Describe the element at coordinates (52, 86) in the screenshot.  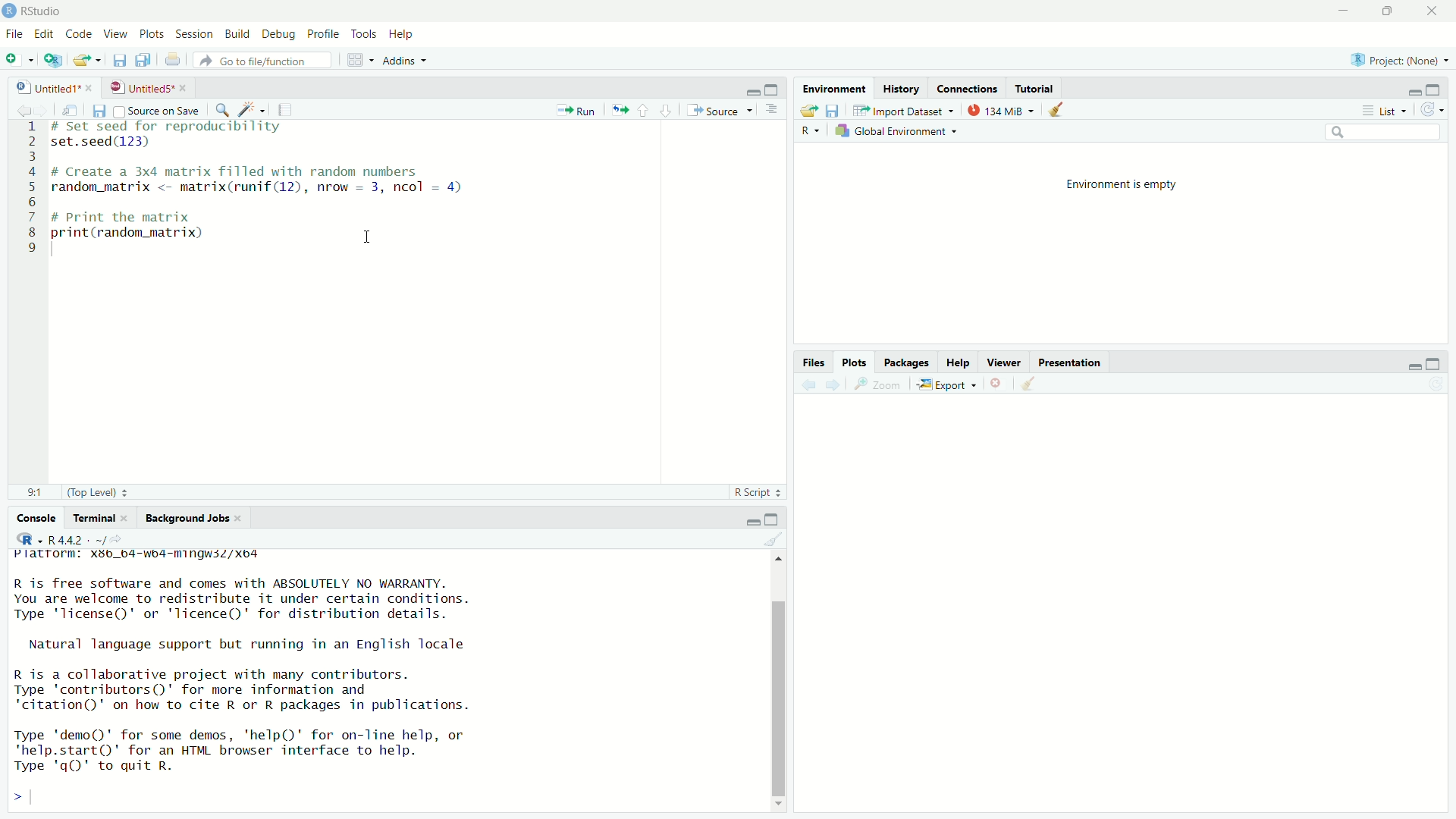
I see `Untitled1* *` at that location.